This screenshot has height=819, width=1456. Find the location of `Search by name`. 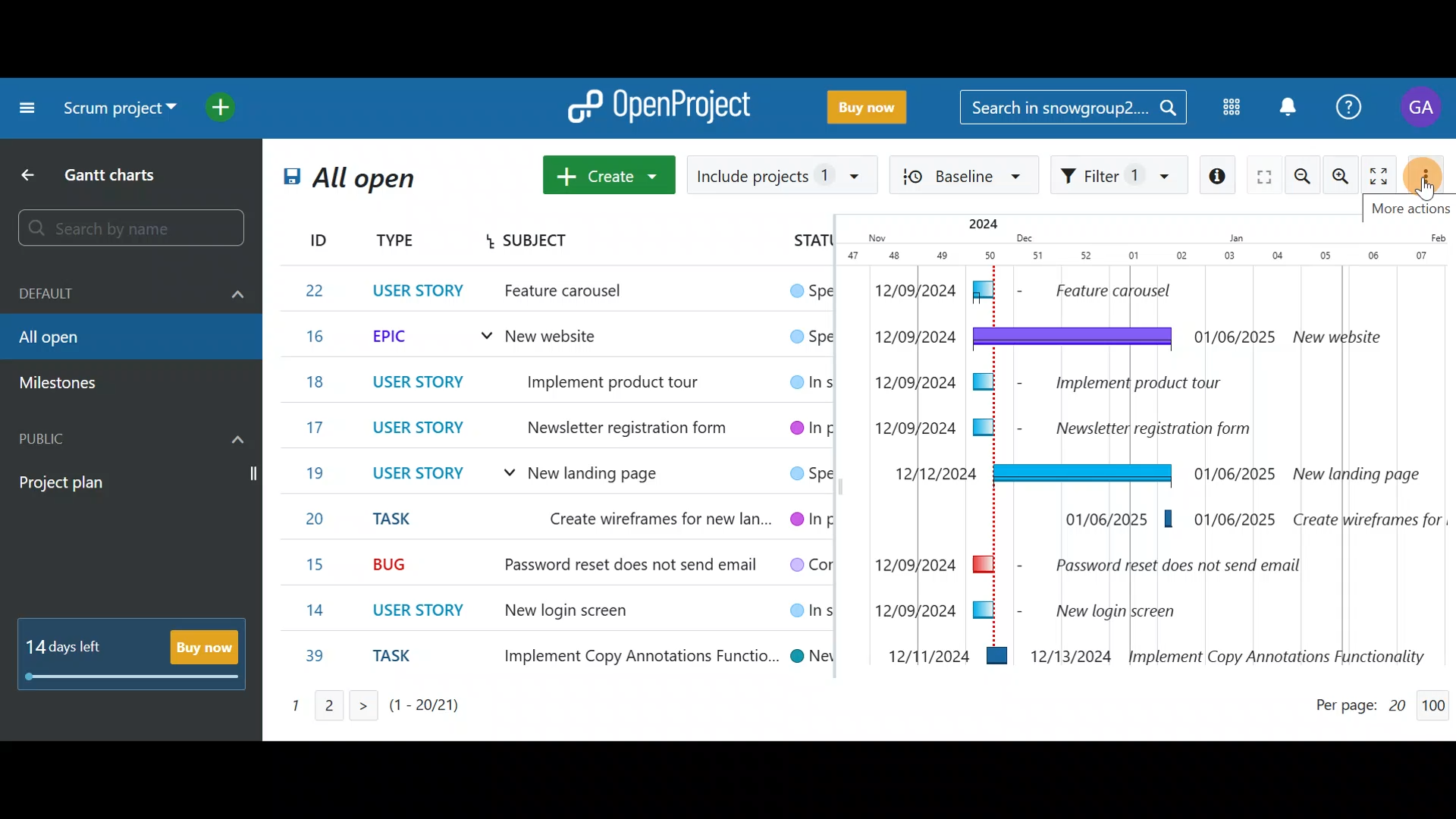

Search by name is located at coordinates (135, 229).